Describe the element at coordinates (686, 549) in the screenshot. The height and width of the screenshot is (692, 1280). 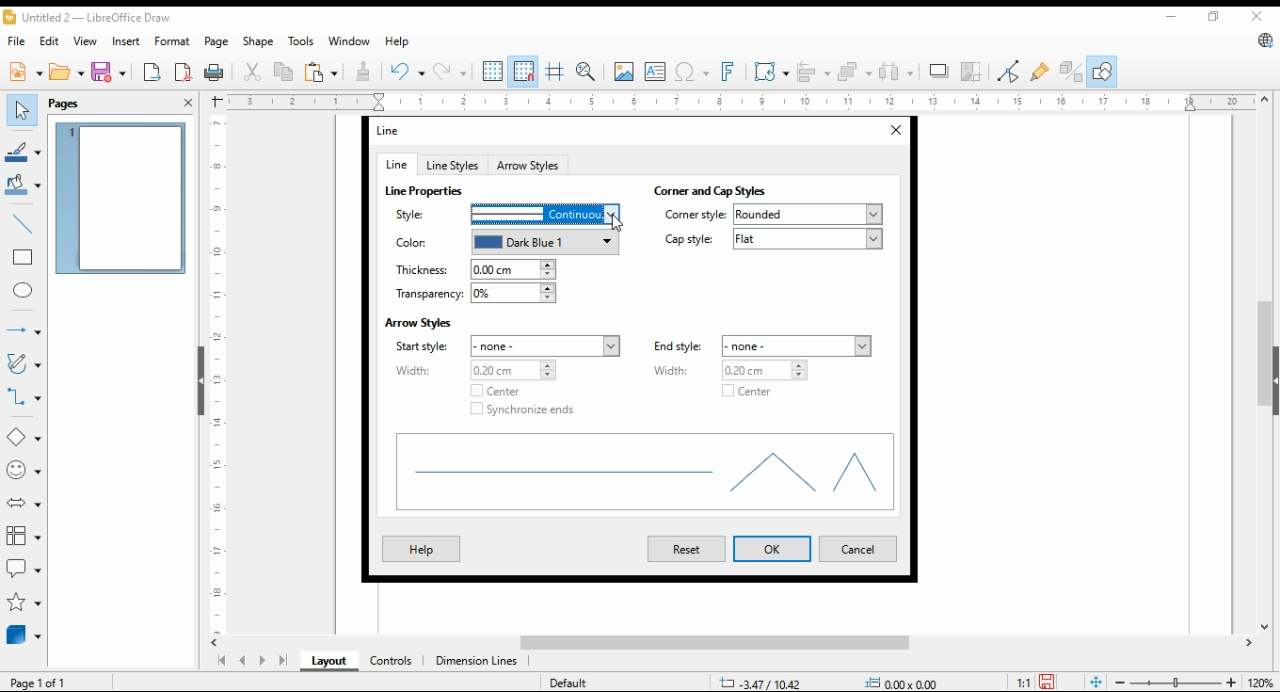
I see `reset` at that location.